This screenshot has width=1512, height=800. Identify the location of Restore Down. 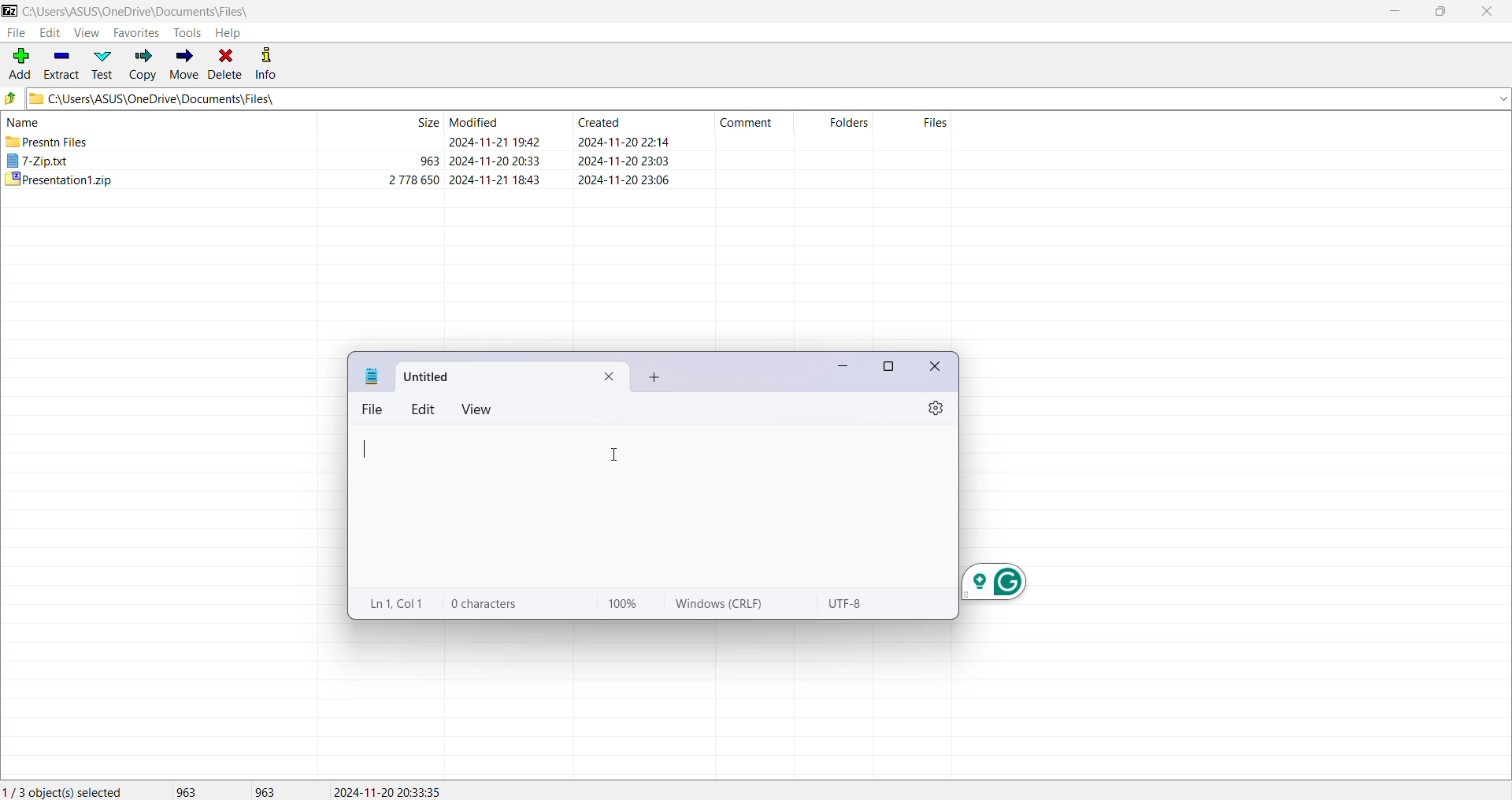
(1442, 12).